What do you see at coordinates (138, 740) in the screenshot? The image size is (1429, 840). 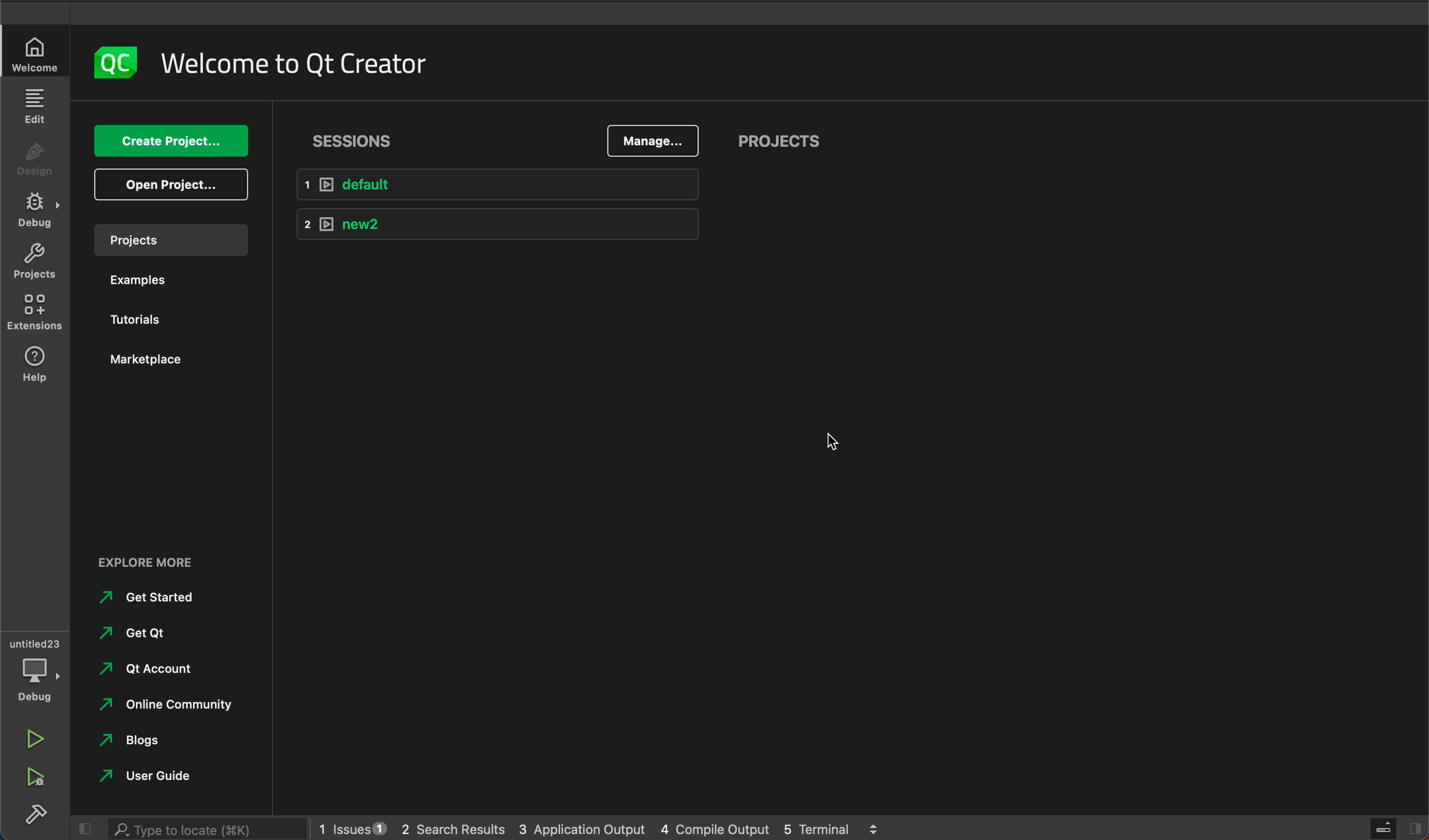 I see `blogs` at bounding box center [138, 740].